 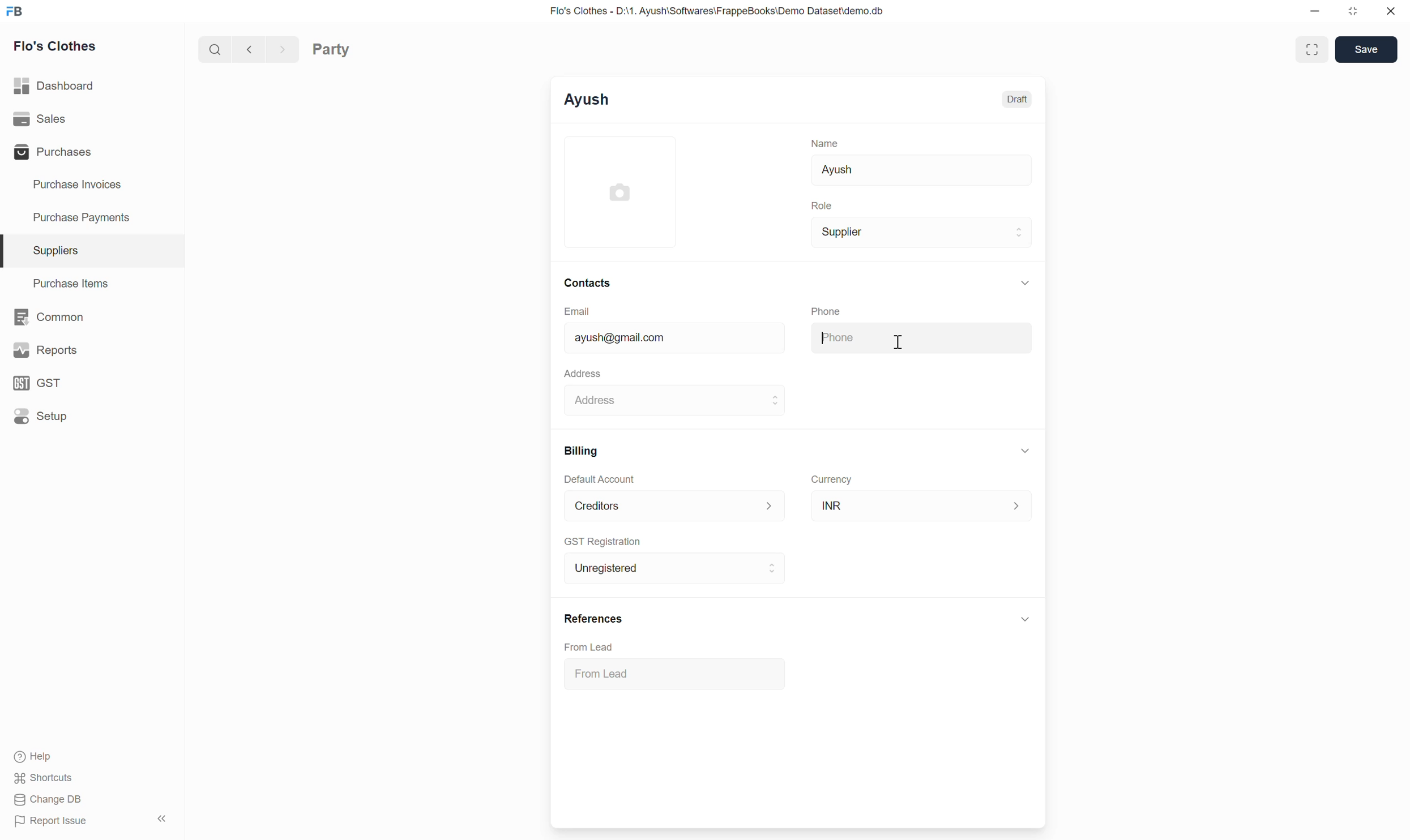 I want to click on Sales, so click(x=92, y=119).